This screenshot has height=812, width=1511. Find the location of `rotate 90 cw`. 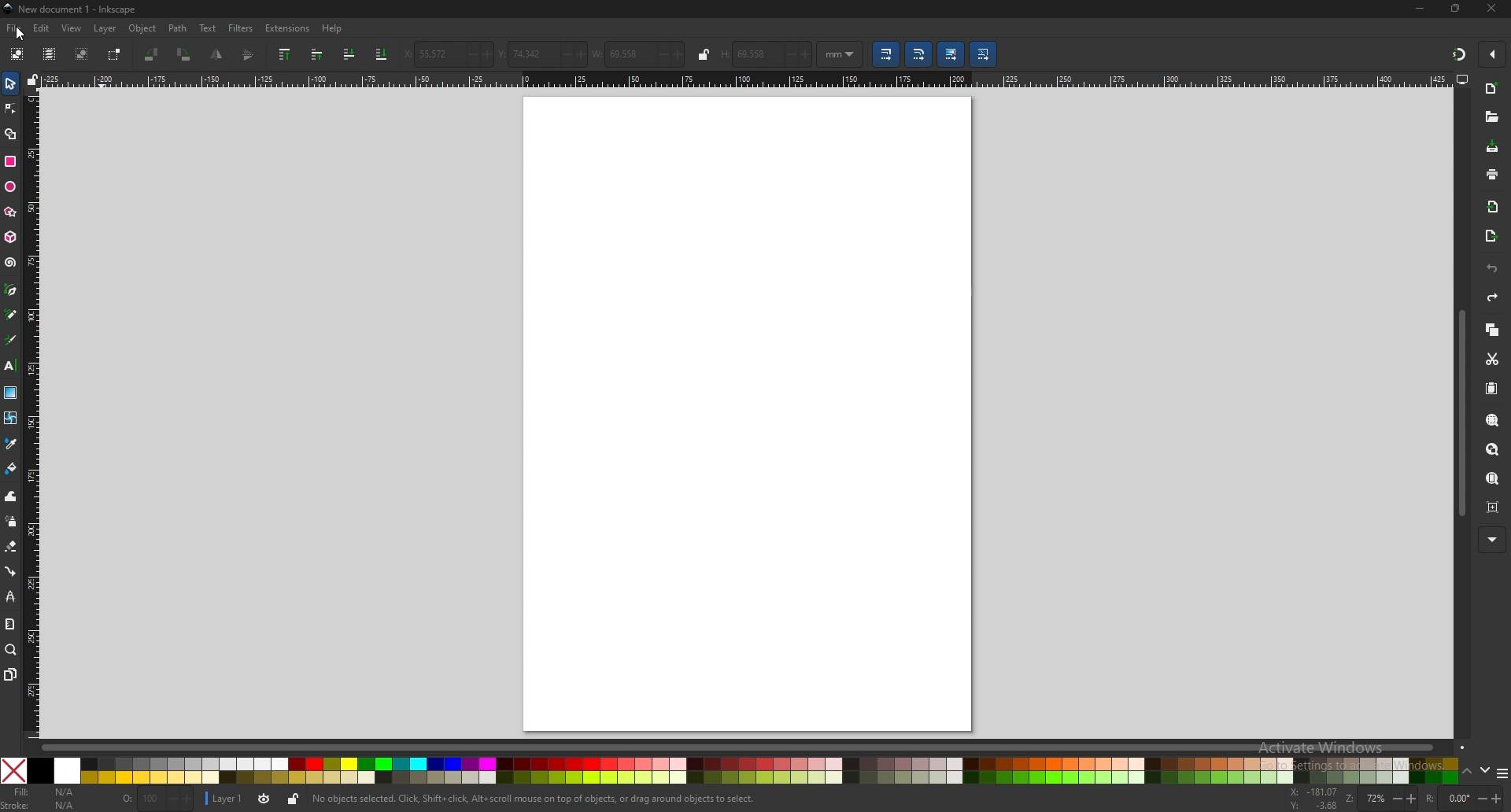

rotate 90 cw is located at coordinates (185, 56).